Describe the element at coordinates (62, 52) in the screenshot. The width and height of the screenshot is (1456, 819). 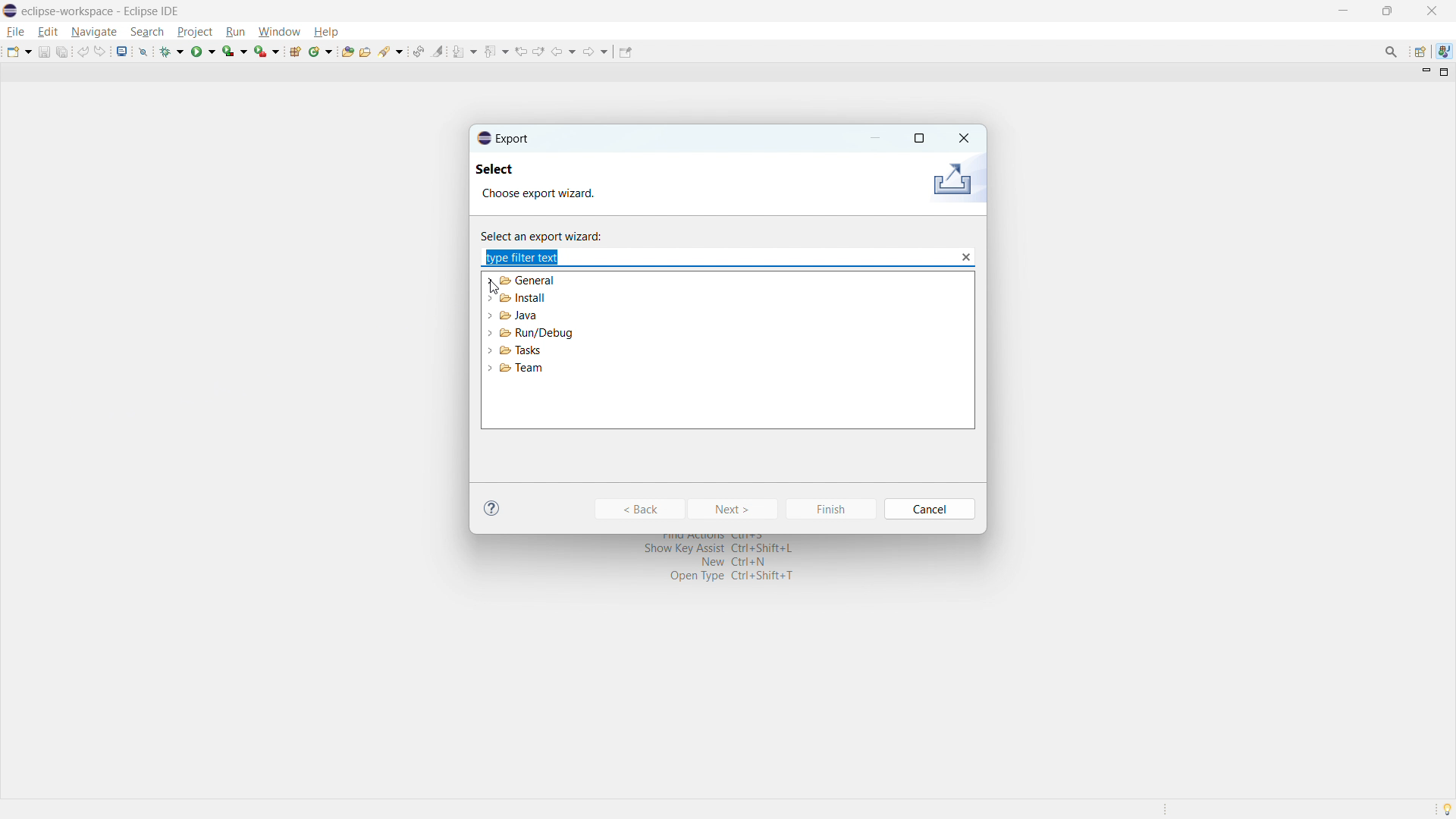
I see `save all` at that location.